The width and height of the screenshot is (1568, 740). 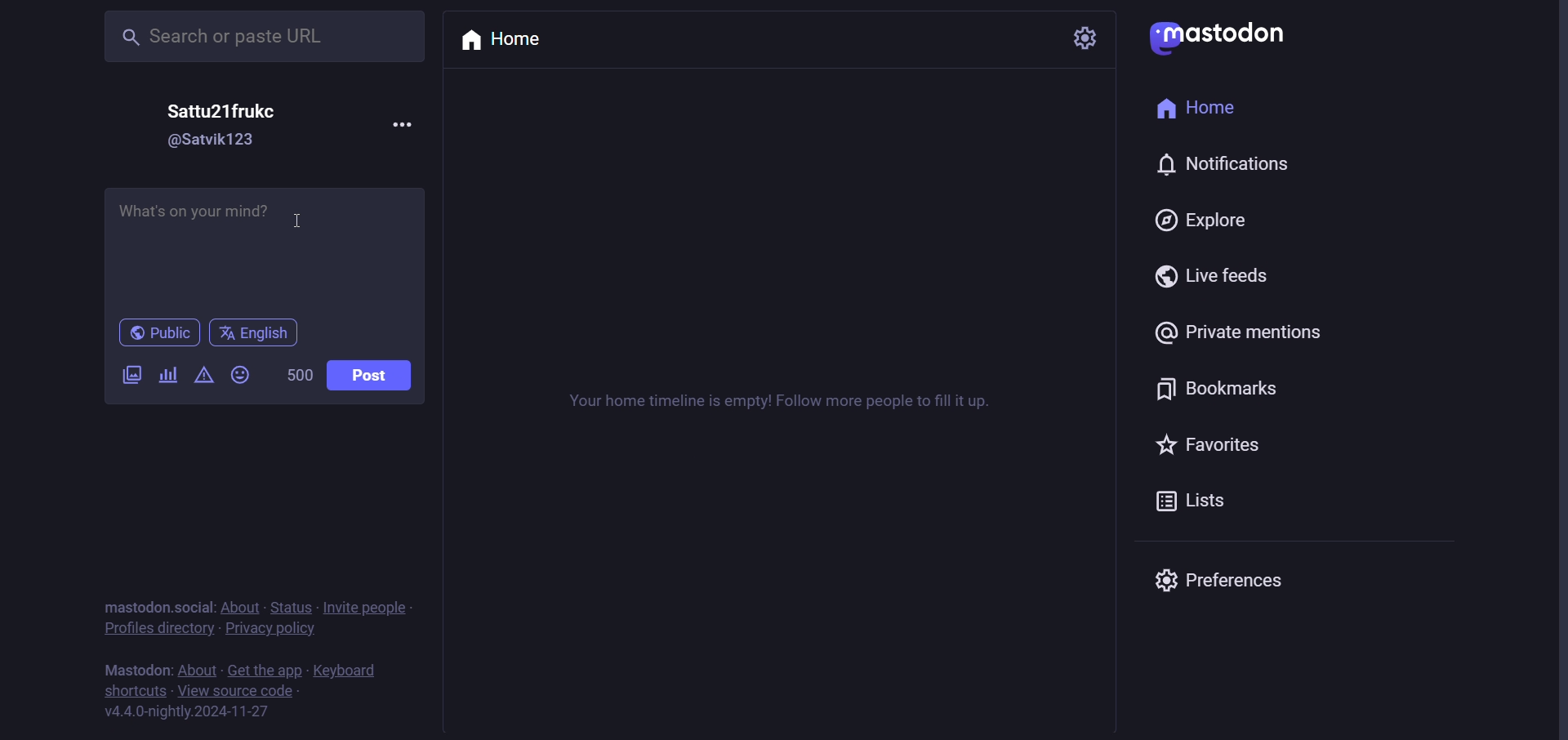 I want to click on status, so click(x=290, y=607).